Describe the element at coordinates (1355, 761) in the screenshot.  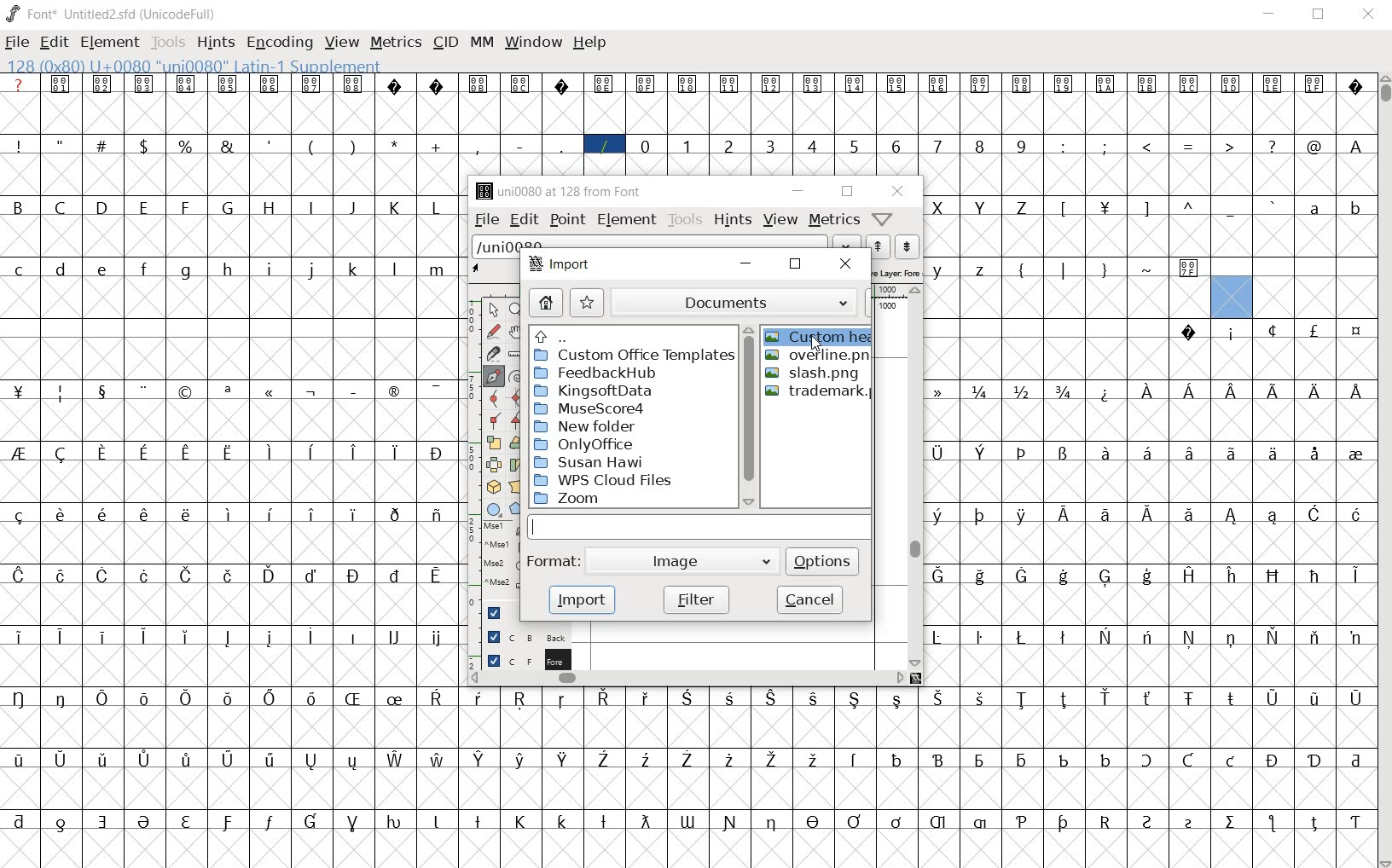
I see `glyph` at that location.